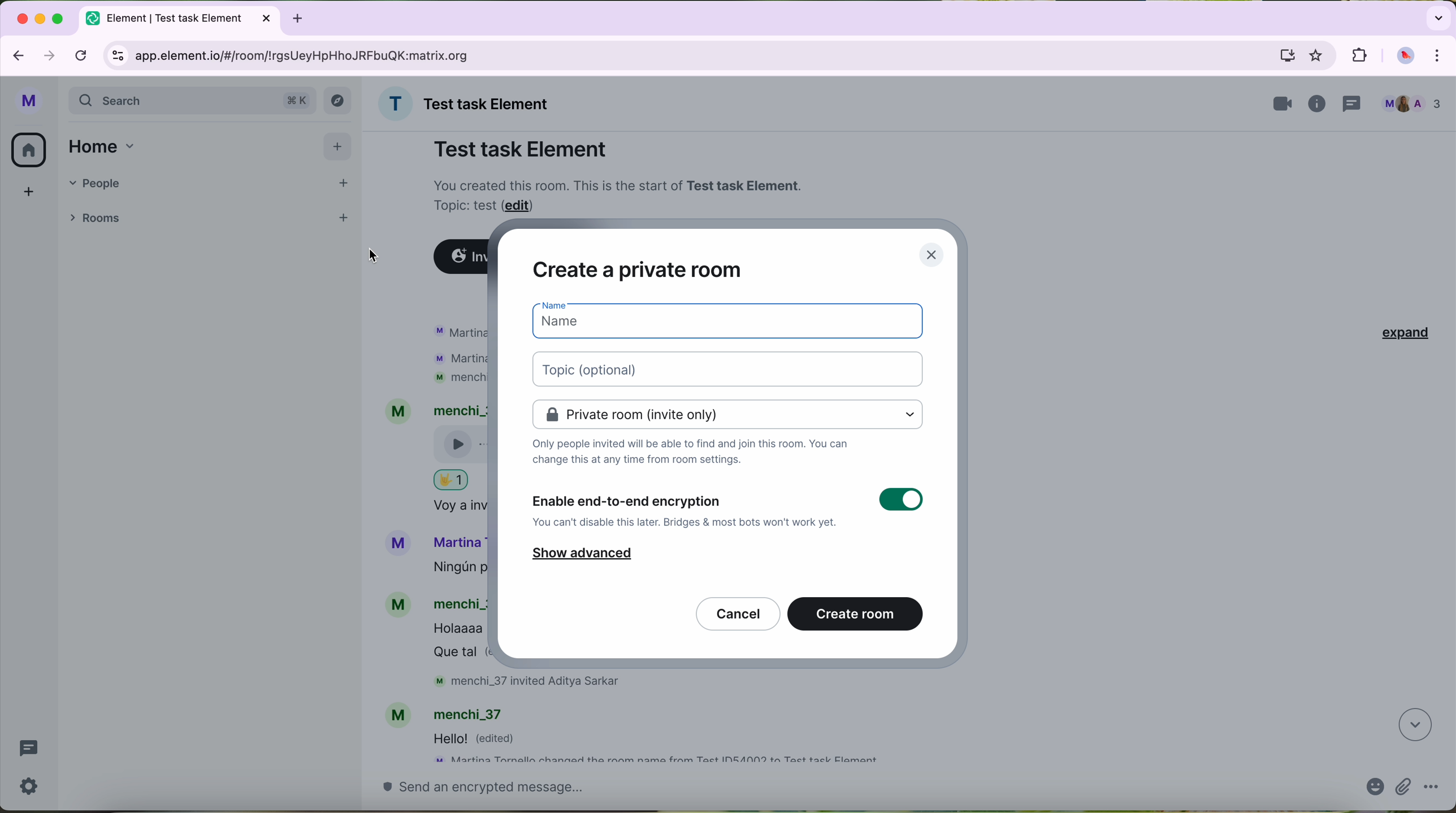  Describe the element at coordinates (302, 18) in the screenshot. I see `new tabb` at that location.